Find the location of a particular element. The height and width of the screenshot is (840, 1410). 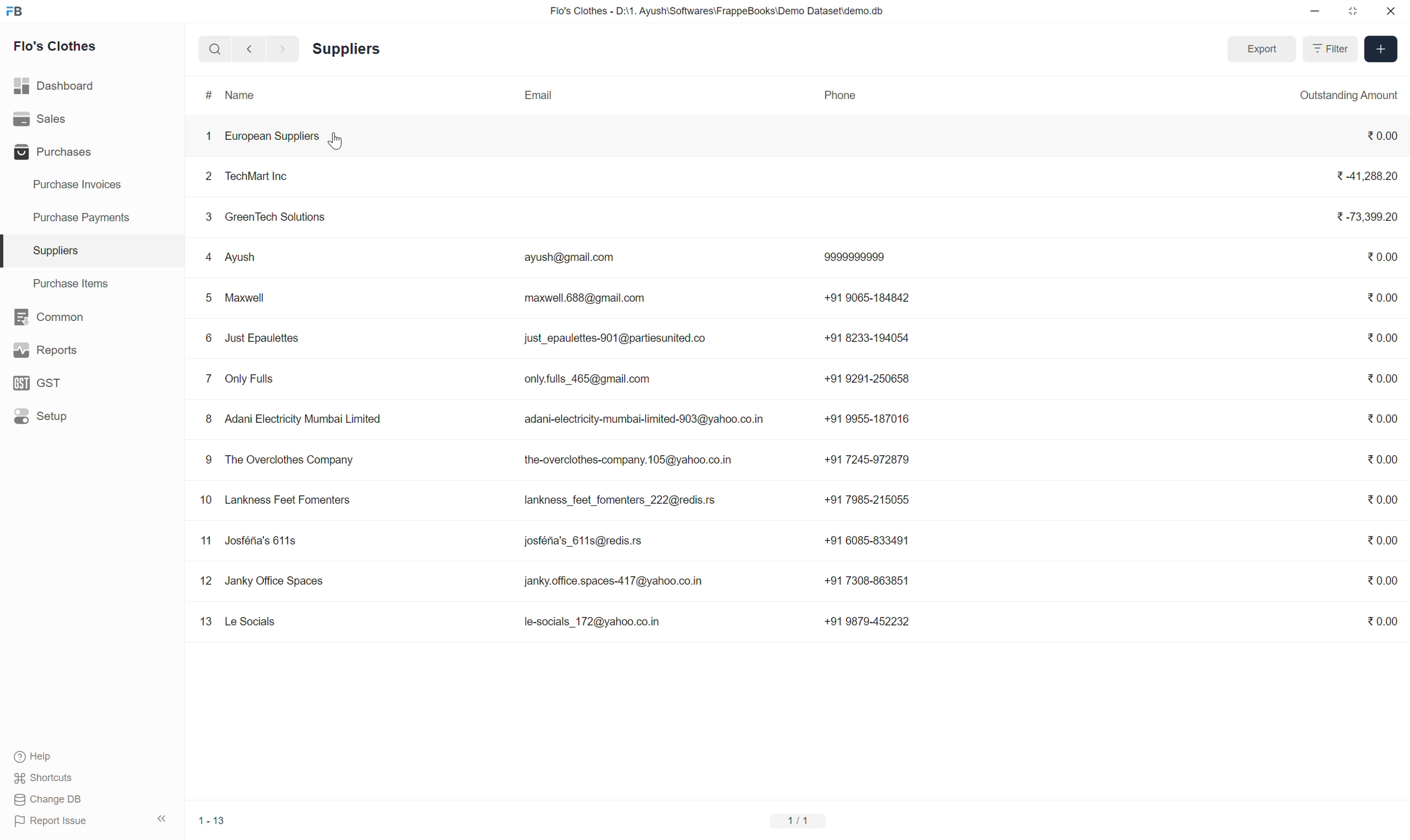

Help is located at coordinates (31, 753).